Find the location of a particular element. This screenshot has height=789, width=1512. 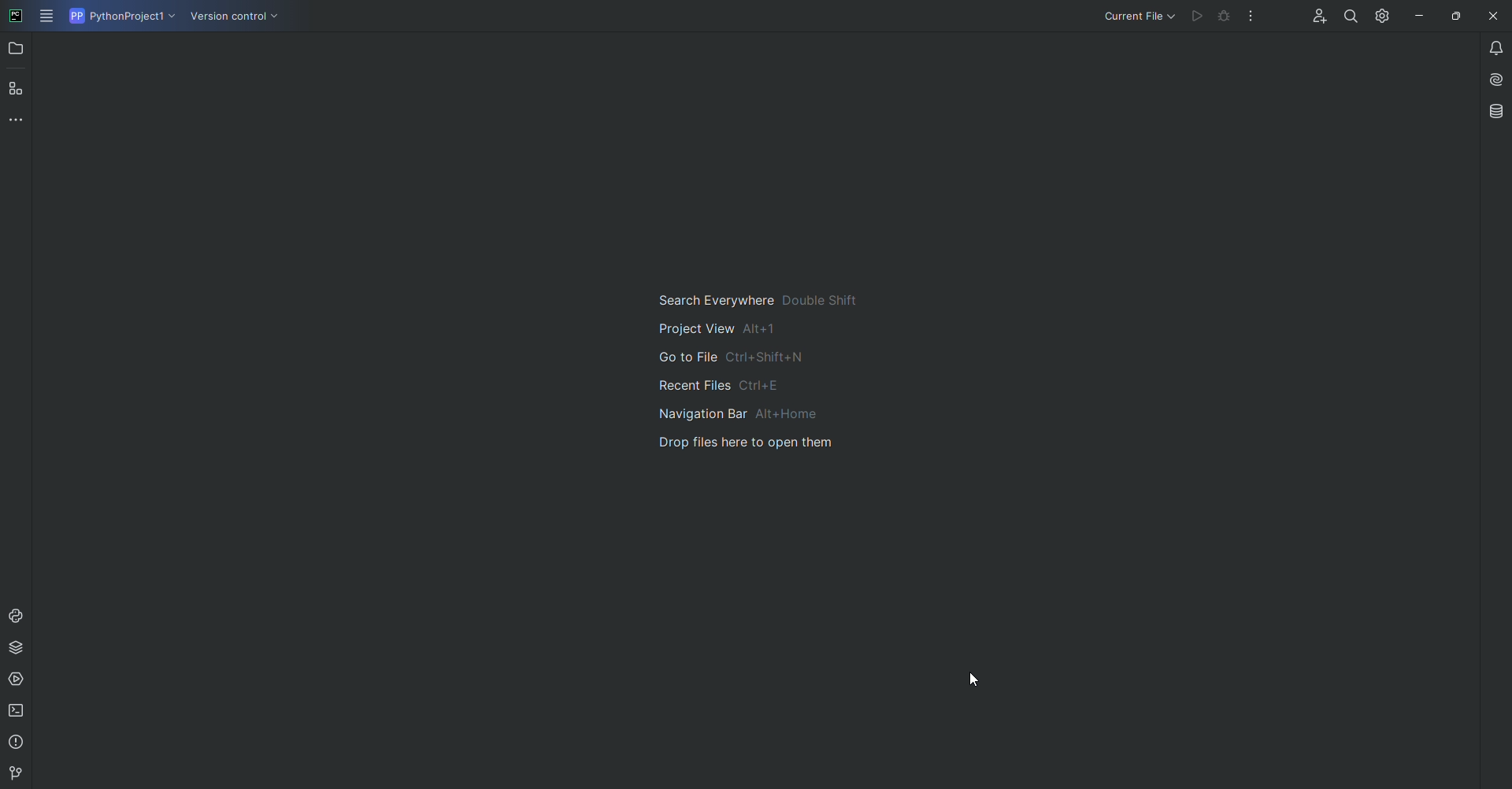

Python project is located at coordinates (120, 17).